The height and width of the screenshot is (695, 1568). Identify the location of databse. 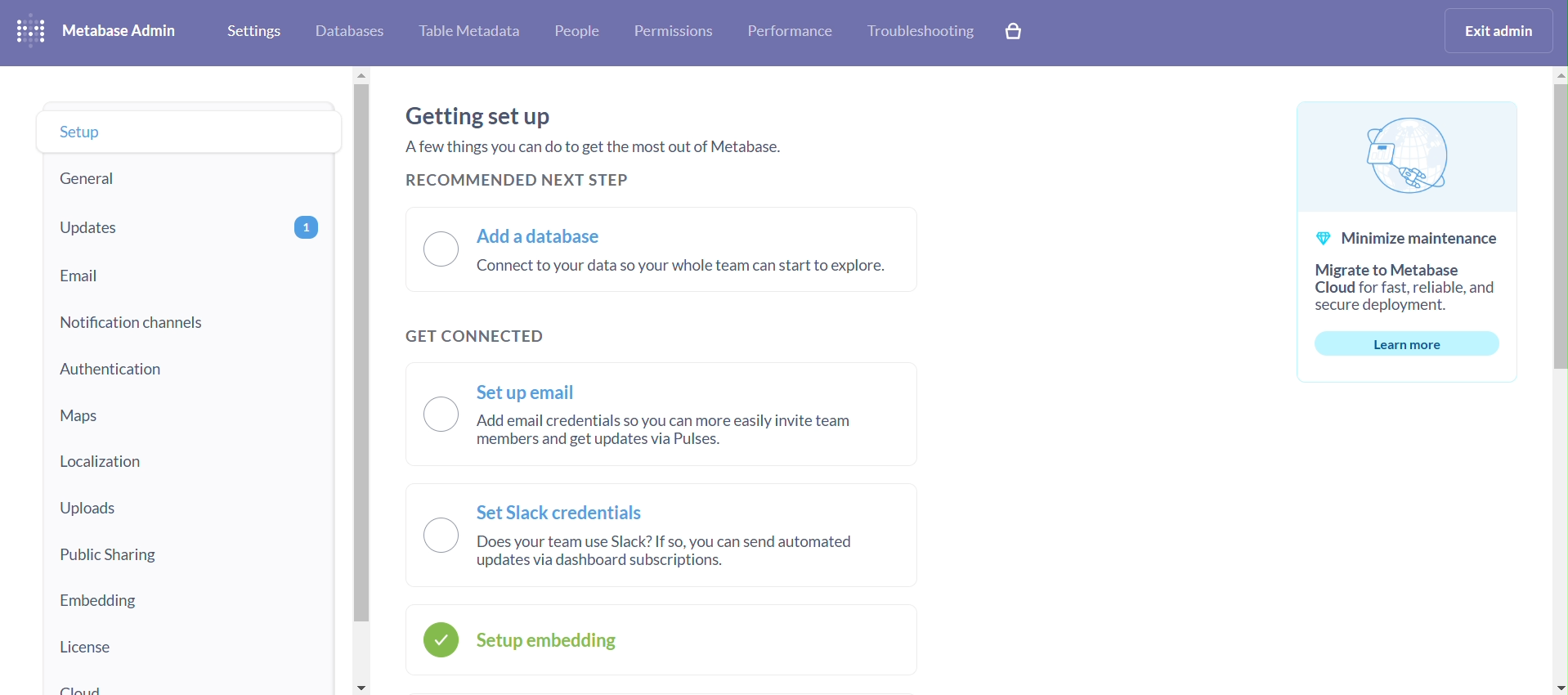
(350, 34).